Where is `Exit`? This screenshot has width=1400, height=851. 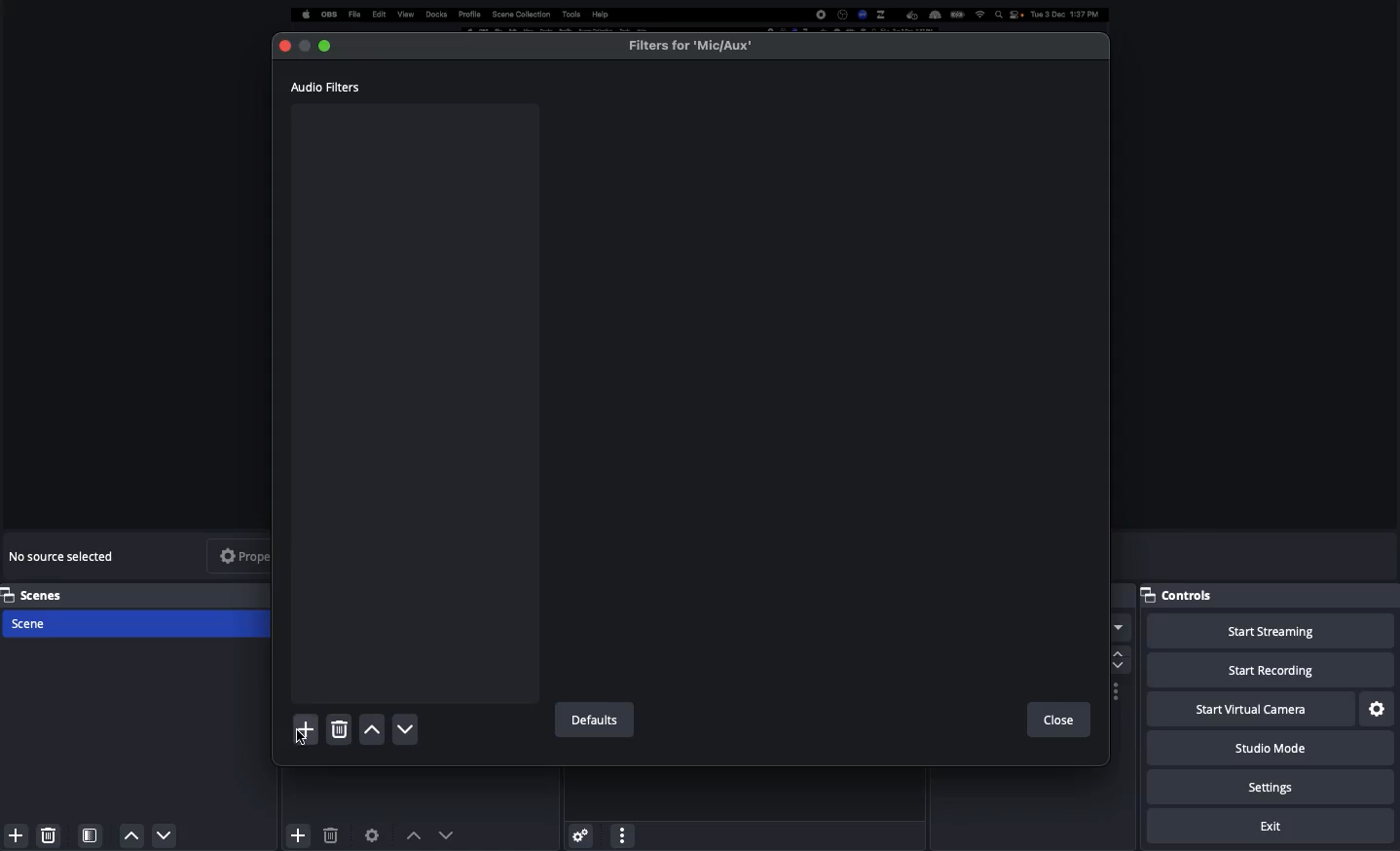 Exit is located at coordinates (1273, 827).